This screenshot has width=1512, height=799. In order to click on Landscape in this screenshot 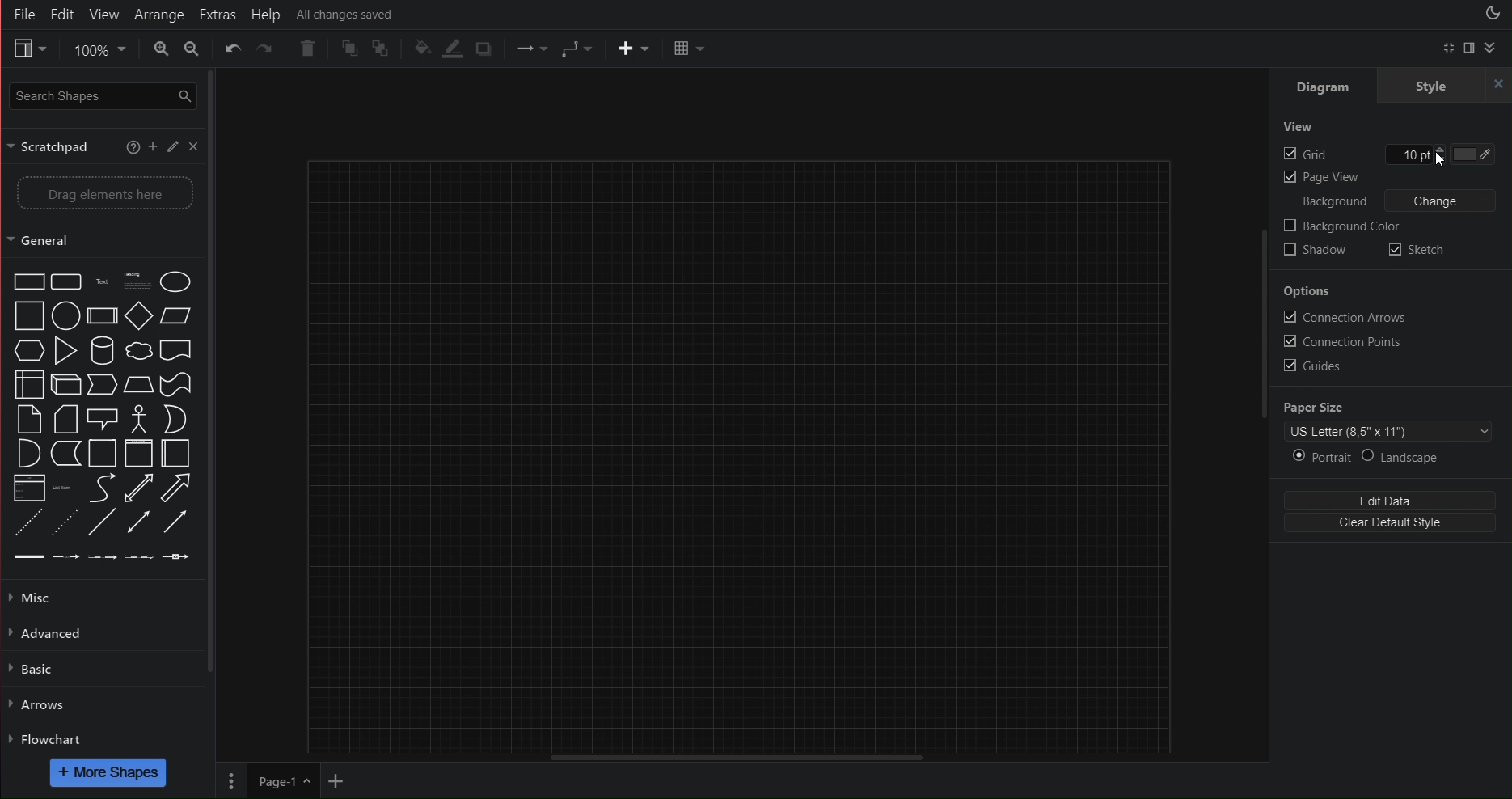, I will do `click(1405, 457)`.